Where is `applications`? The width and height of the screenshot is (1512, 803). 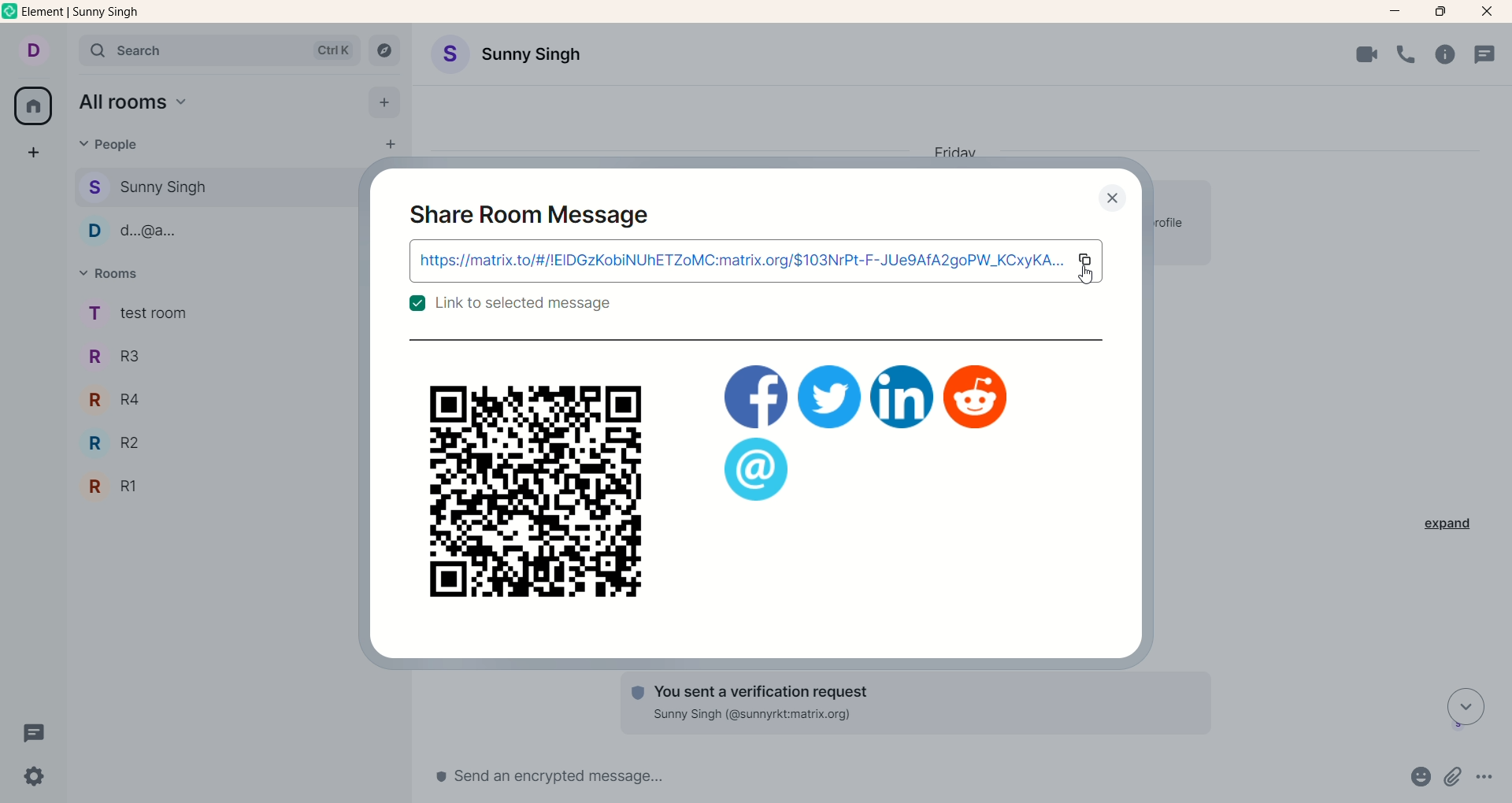 applications is located at coordinates (756, 397).